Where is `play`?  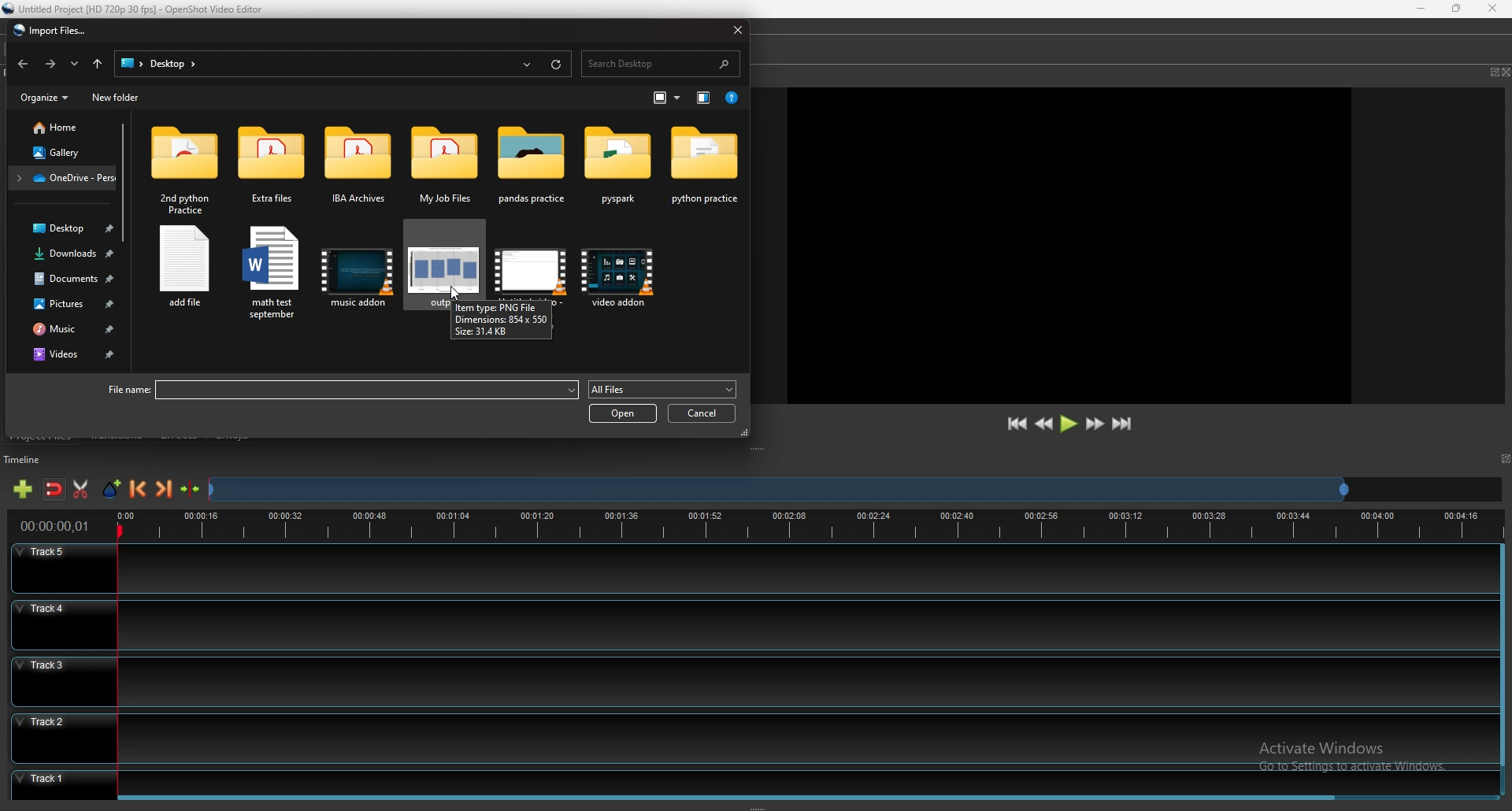
play is located at coordinates (1069, 423).